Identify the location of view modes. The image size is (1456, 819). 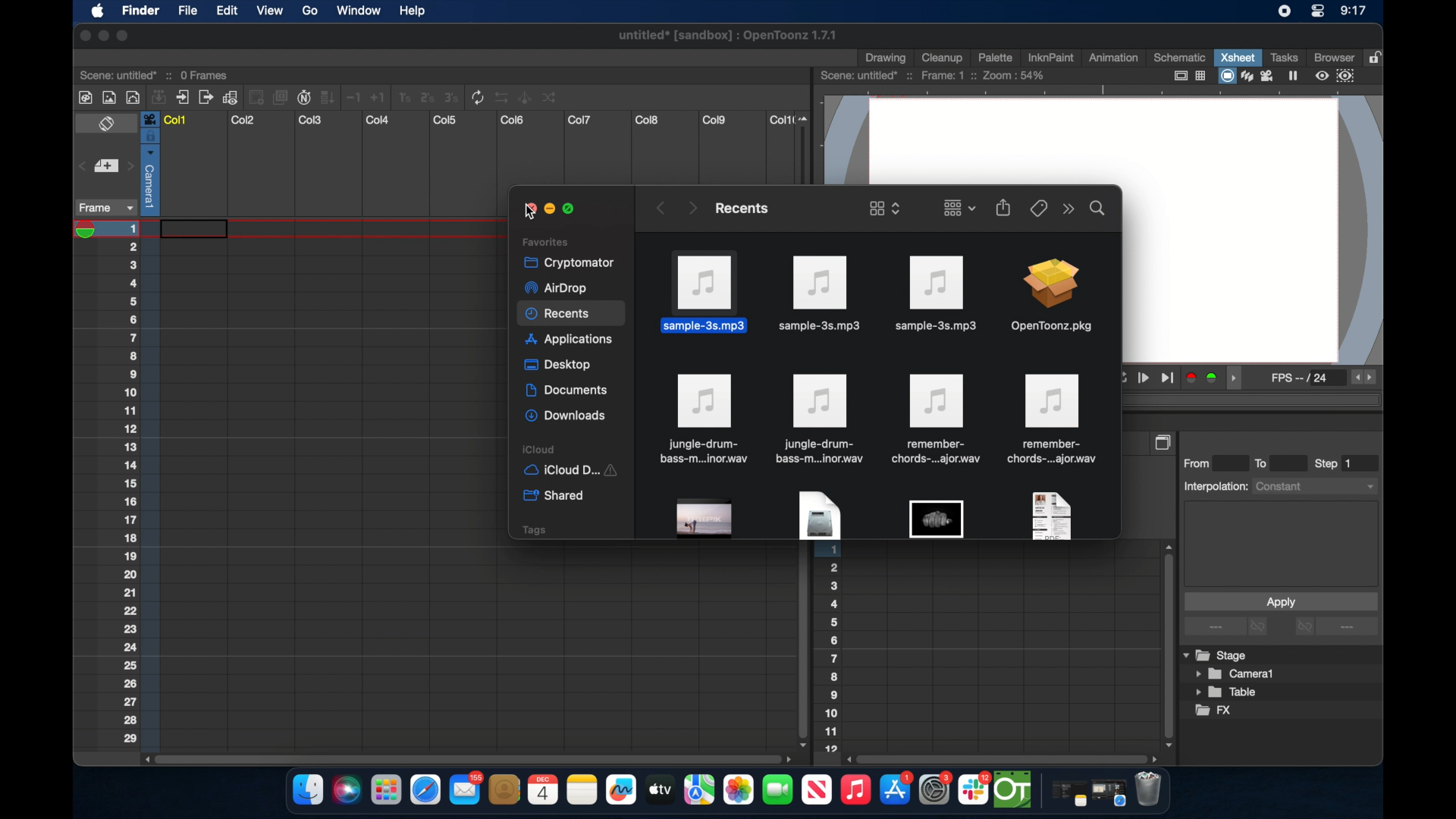
(1260, 76).